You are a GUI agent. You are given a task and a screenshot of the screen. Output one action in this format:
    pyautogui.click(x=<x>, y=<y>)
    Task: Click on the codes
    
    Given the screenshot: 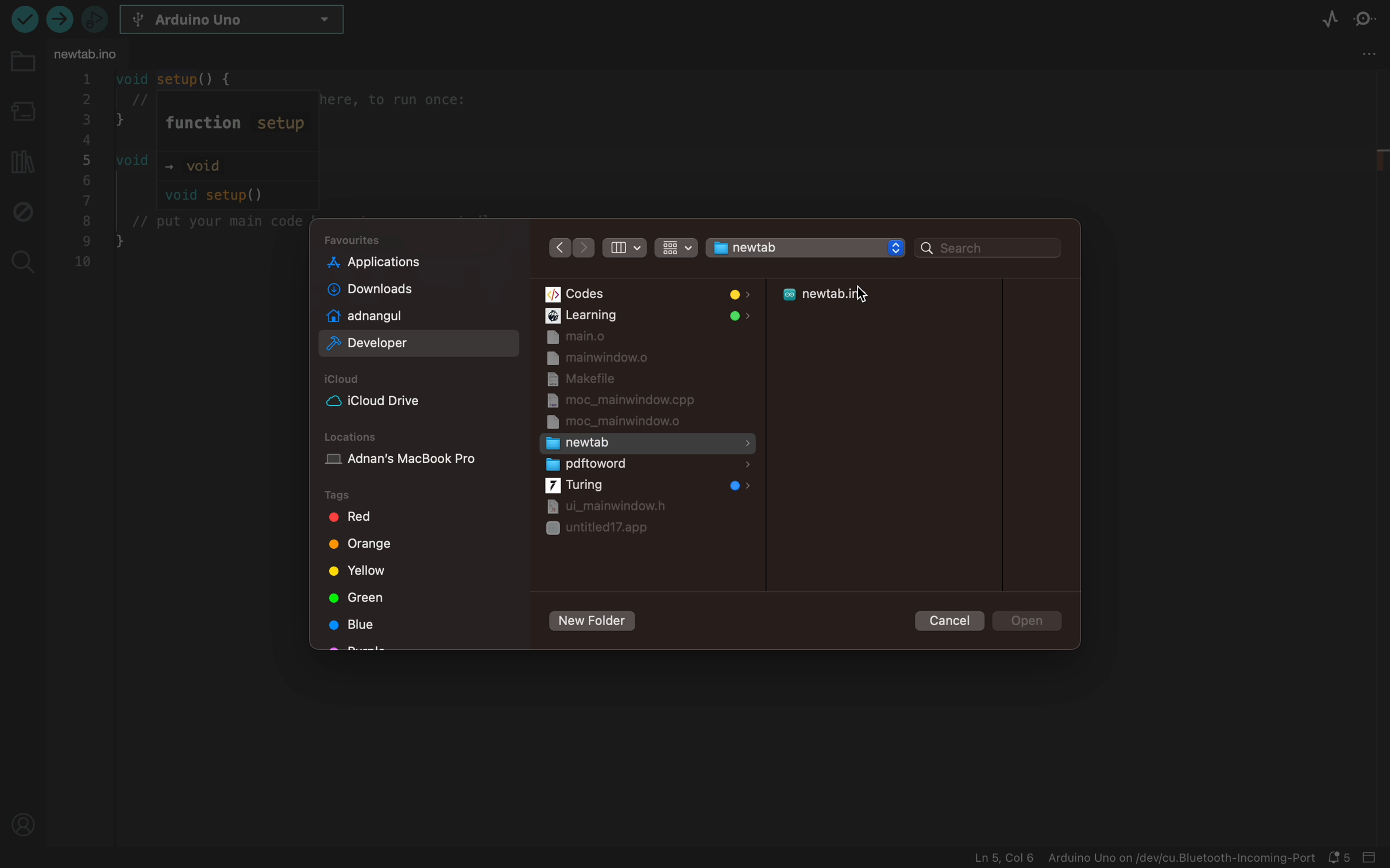 What is the action you would take?
    pyautogui.click(x=647, y=294)
    